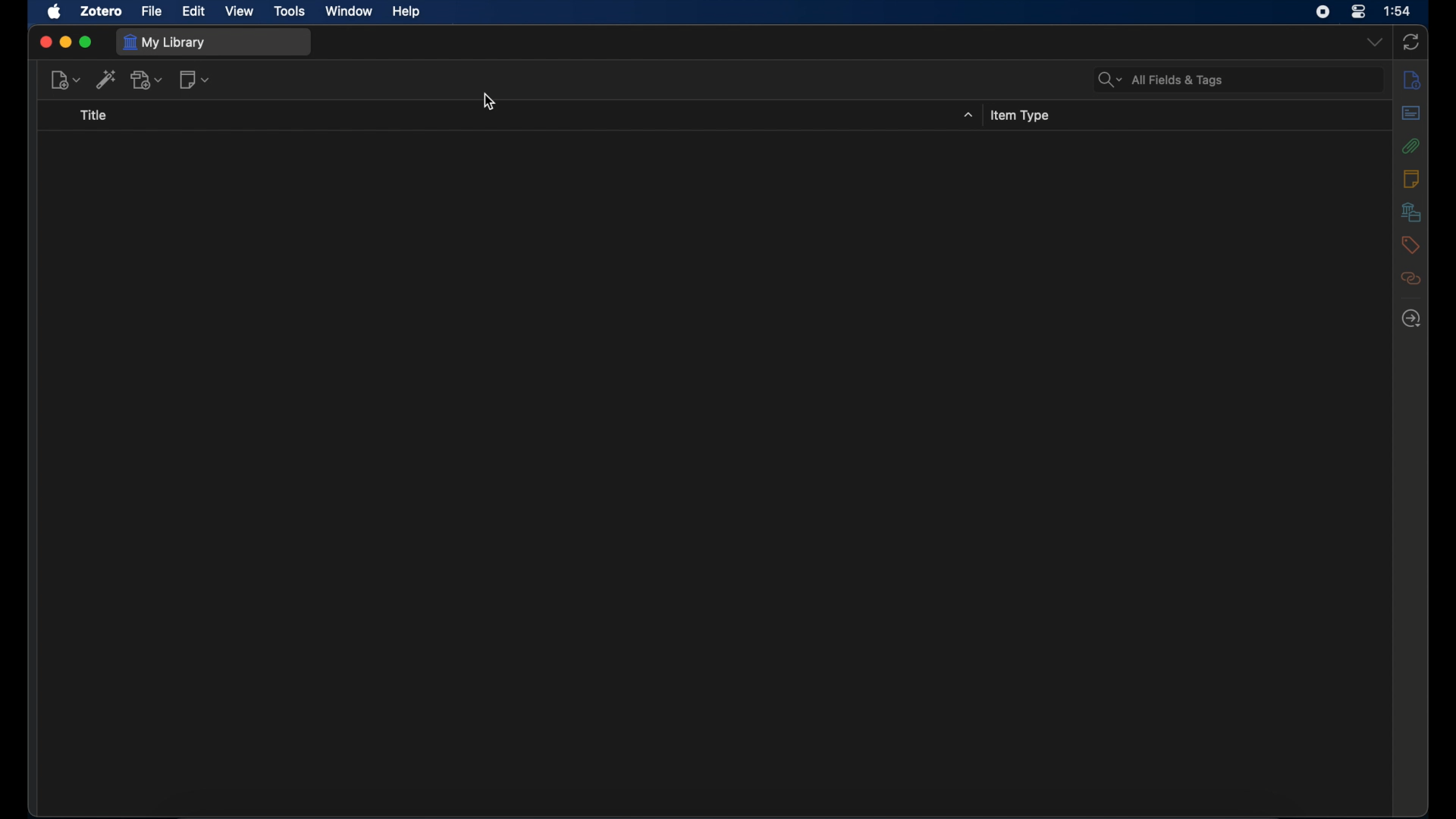  What do you see at coordinates (106, 80) in the screenshot?
I see `search` at bounding box center [106, 80].